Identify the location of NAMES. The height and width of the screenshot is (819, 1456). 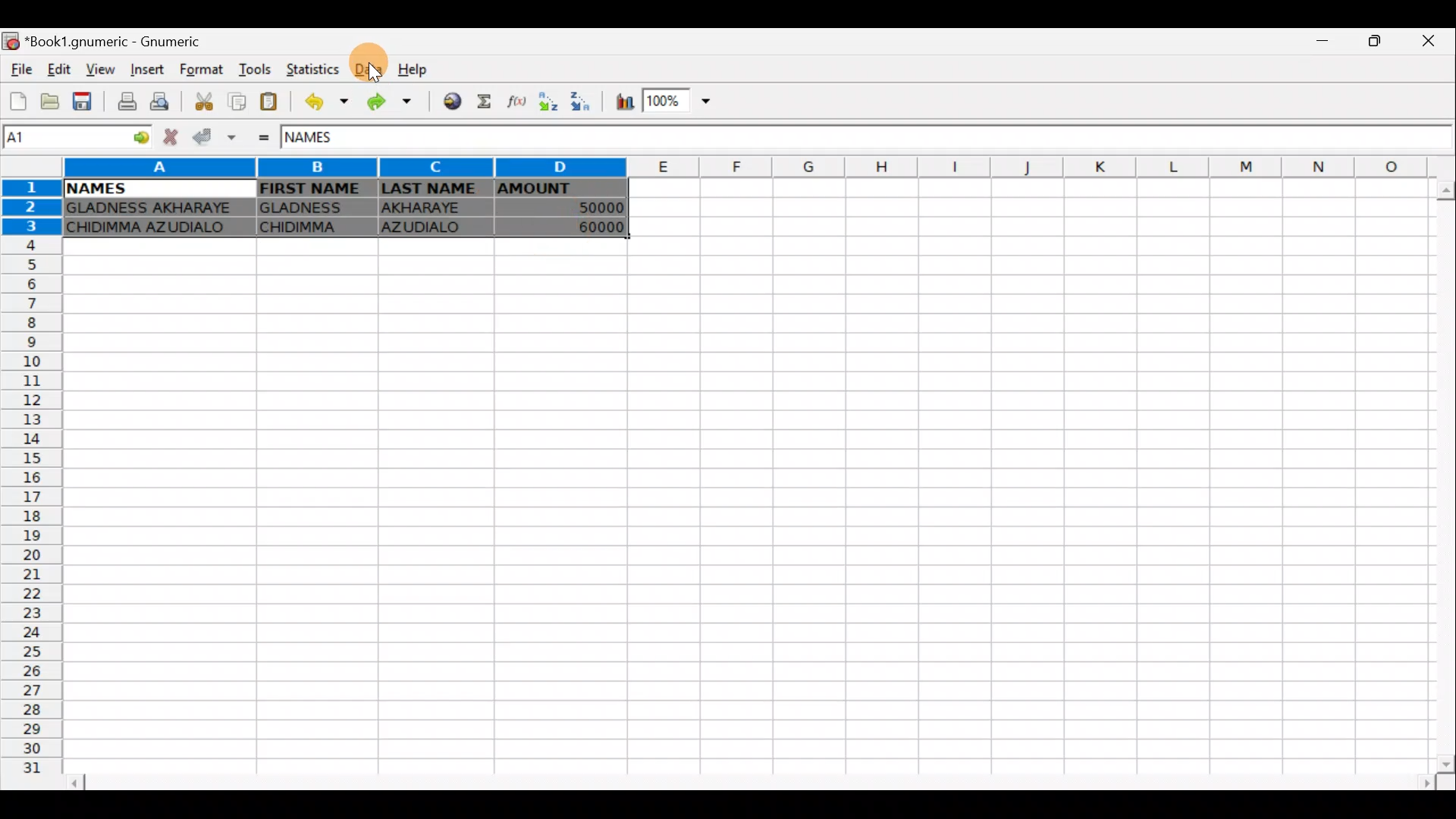
(95, 189).